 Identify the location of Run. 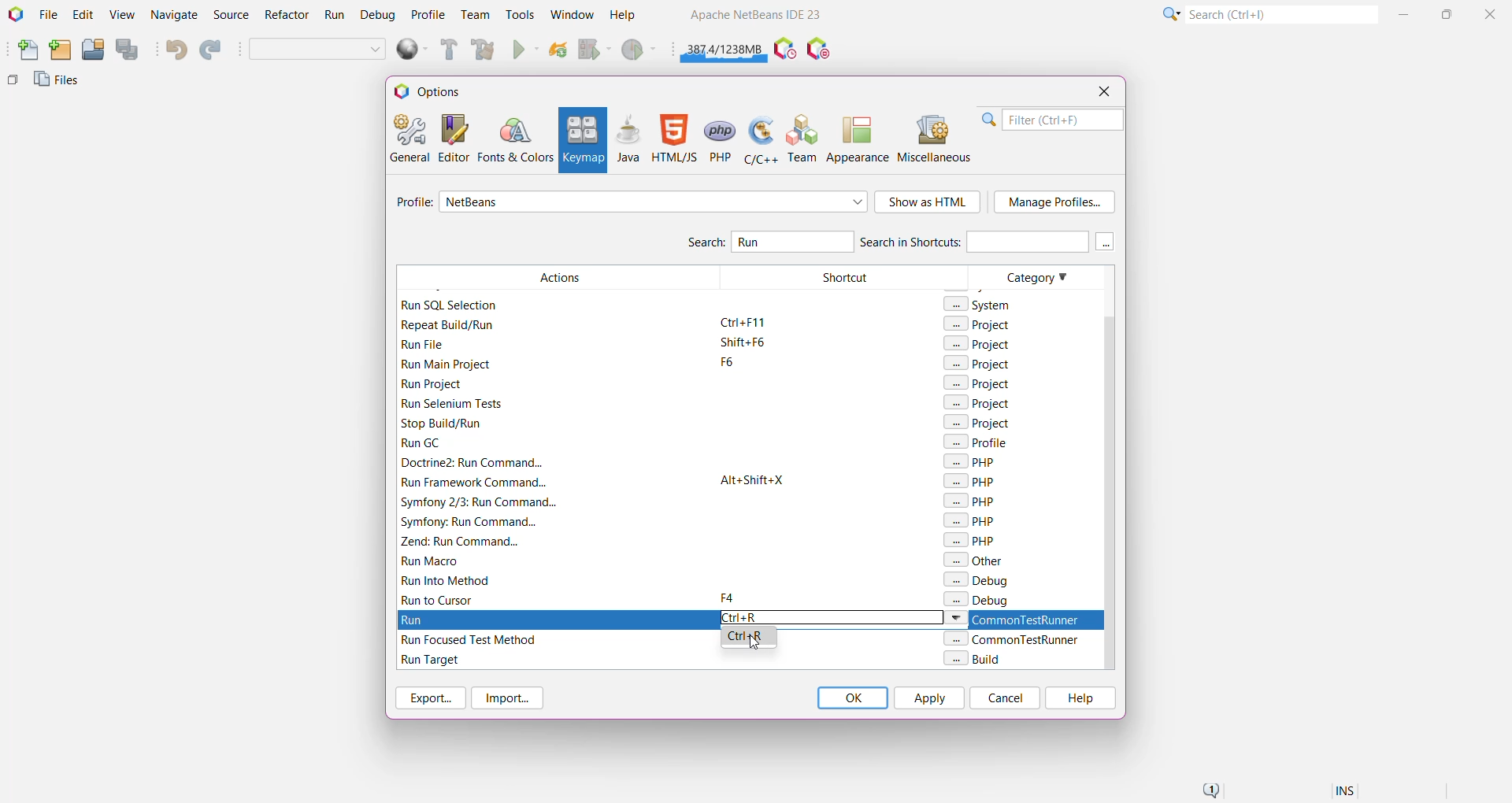
(335, 17).